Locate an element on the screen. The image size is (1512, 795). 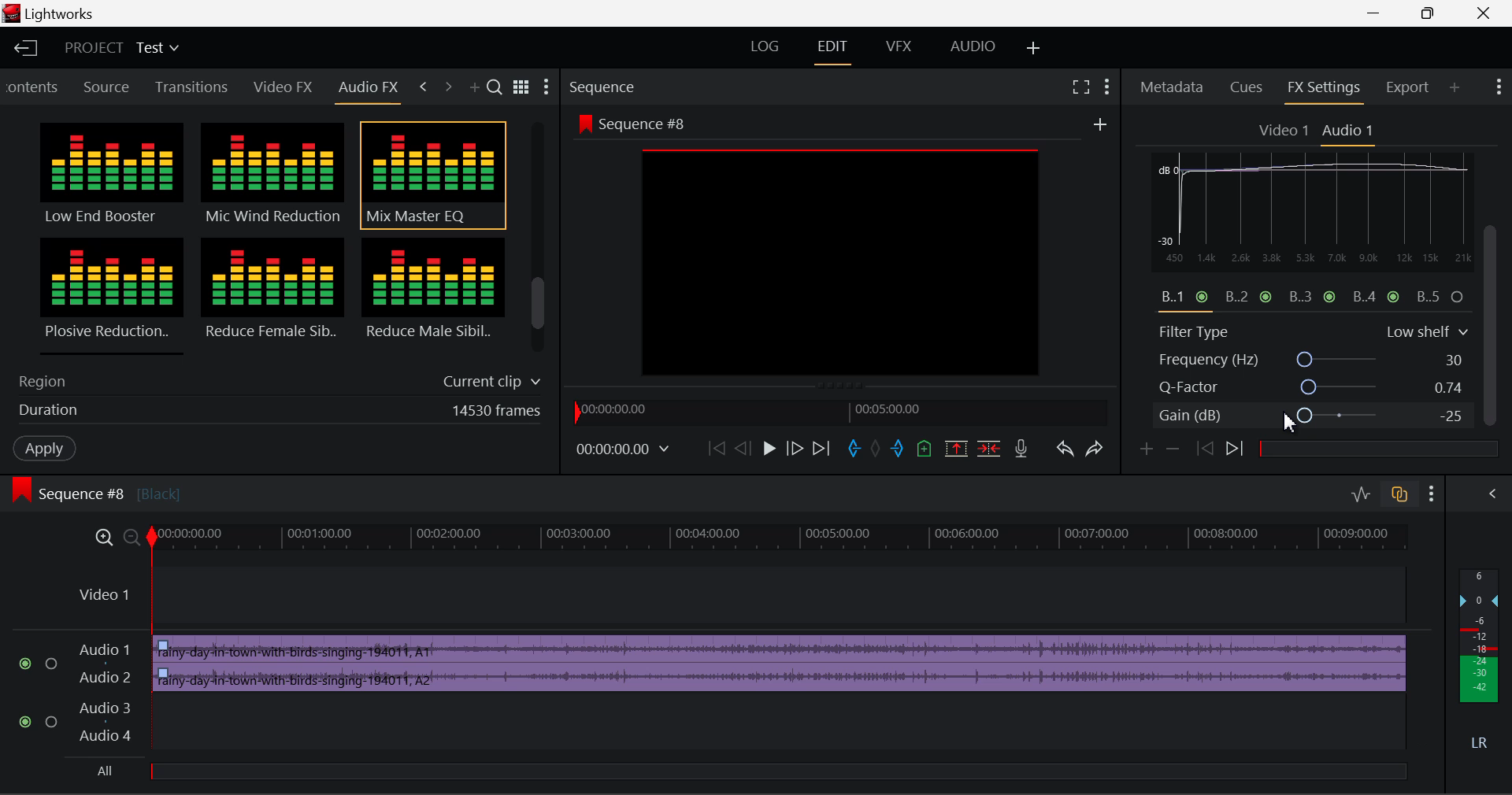
Delete/Cut is located at coordinates (991, 449).